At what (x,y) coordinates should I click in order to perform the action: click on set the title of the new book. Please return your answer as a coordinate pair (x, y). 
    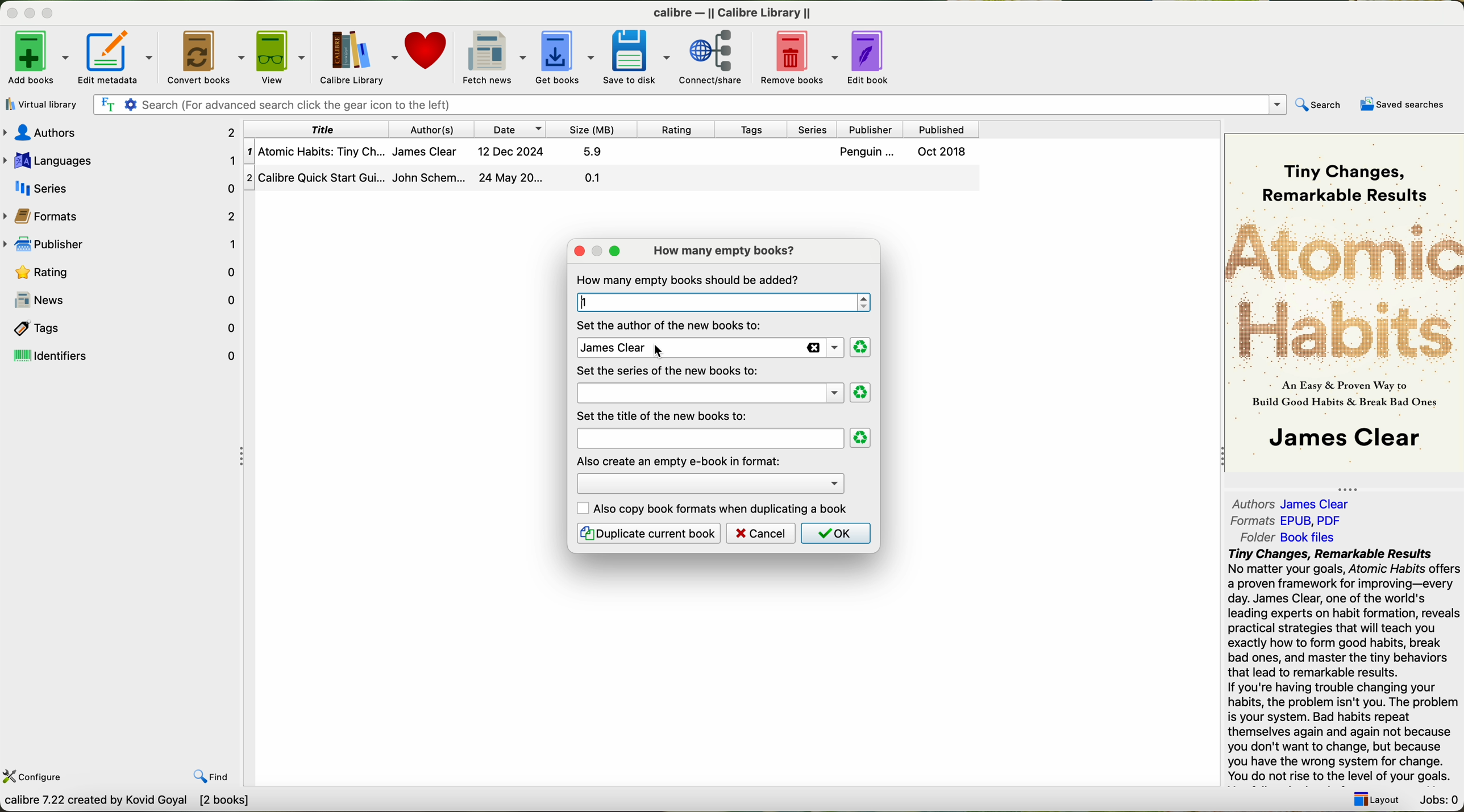
    Looking at the image, I should click on (666, 415).